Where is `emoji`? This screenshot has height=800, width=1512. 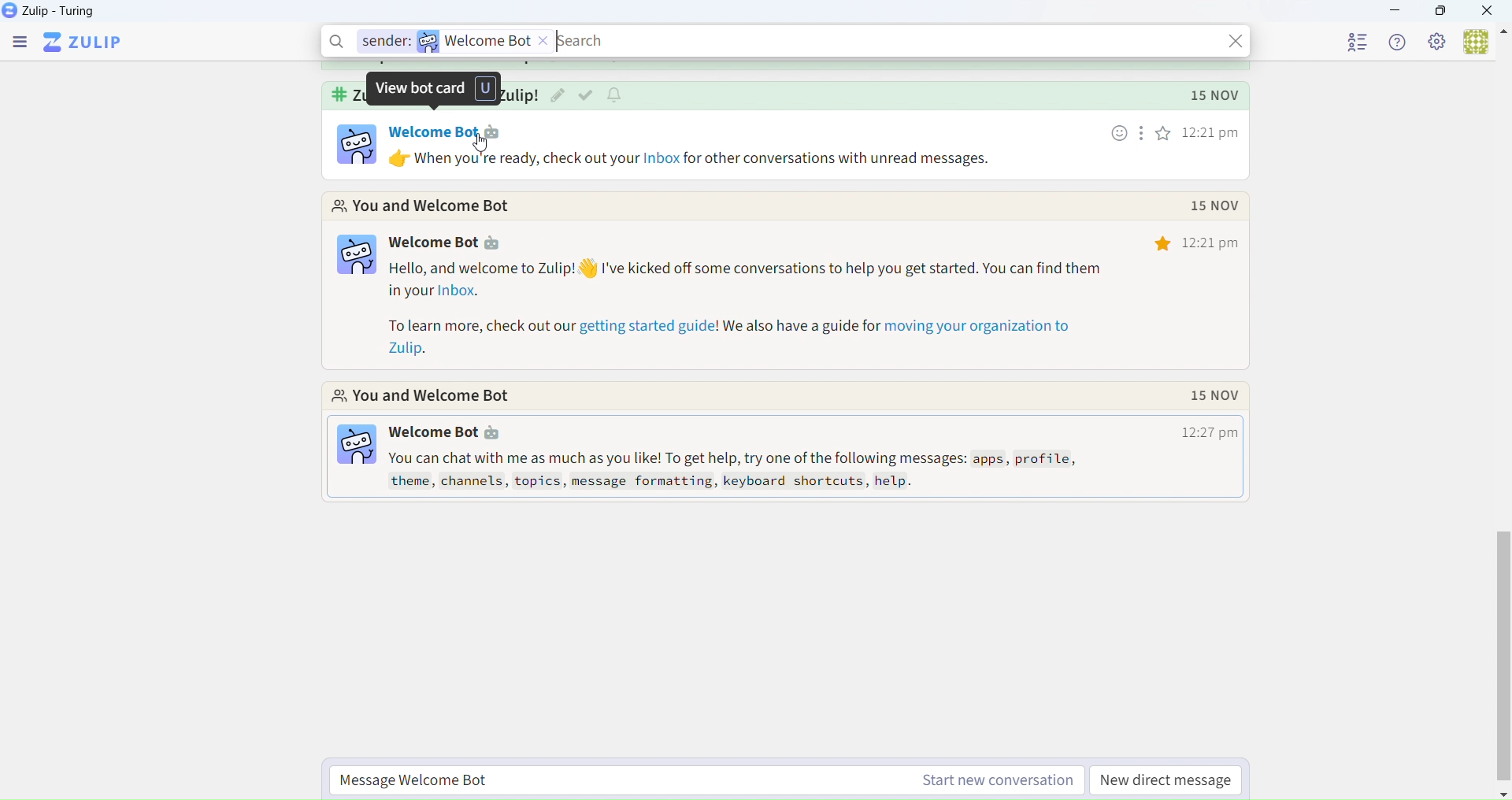 emoji is located at coordinates (1120, 135).